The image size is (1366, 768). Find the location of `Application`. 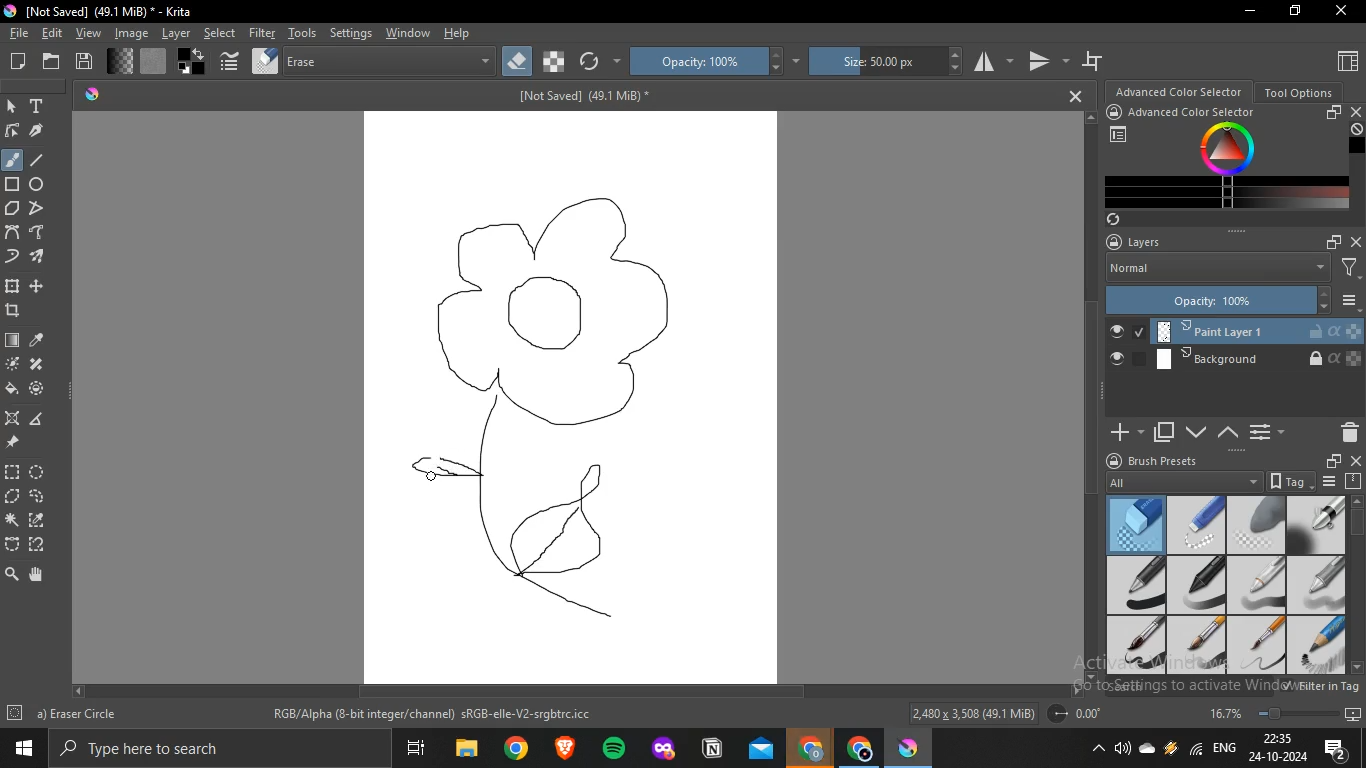

Application is located at coordinates (810, 746).